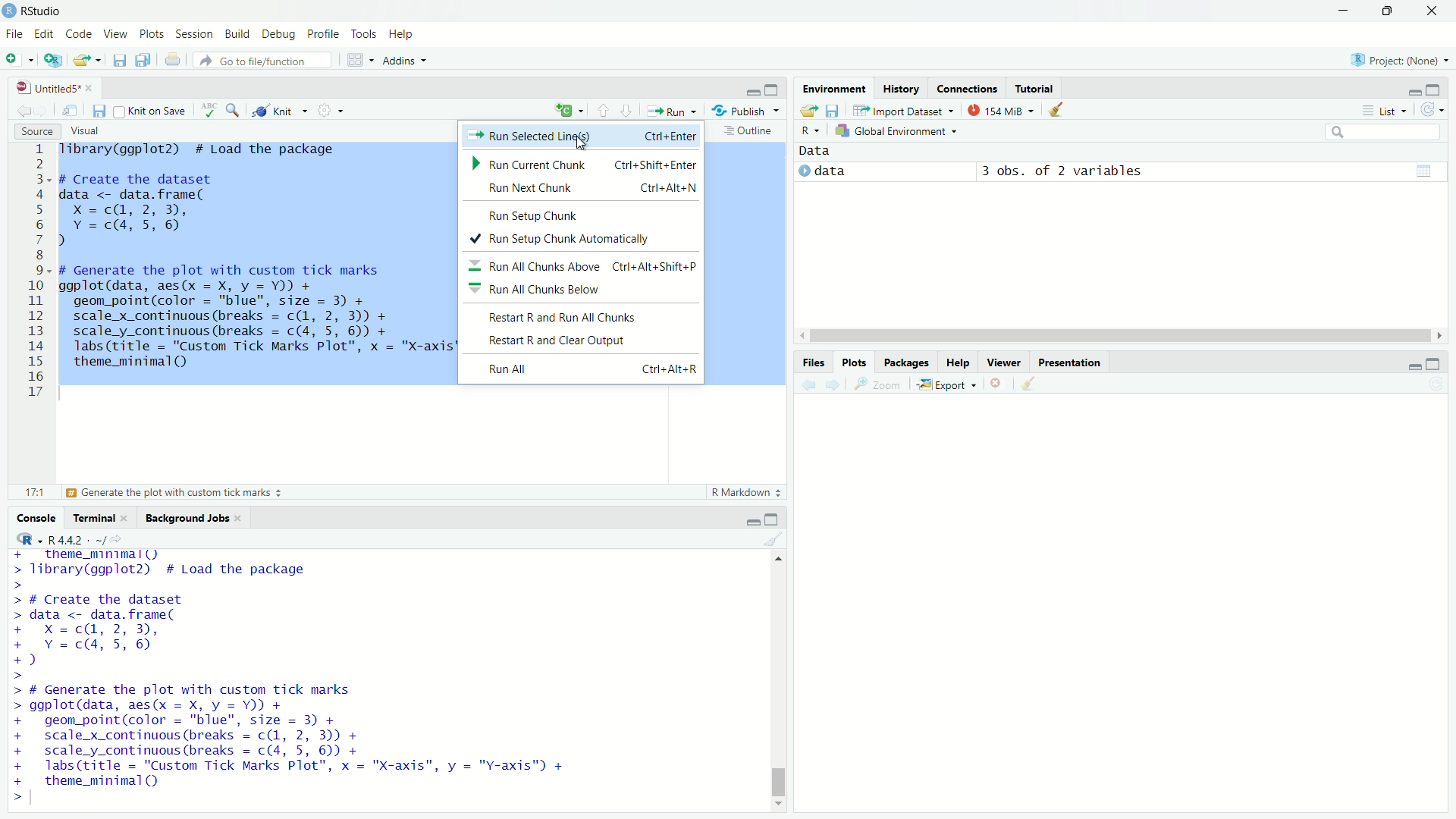 The height and width of the screenshot is (819, 1456). What do you see at coordinates (587, 370) in the screenshot?
I see `Run All` at bounding box center [587, 370].